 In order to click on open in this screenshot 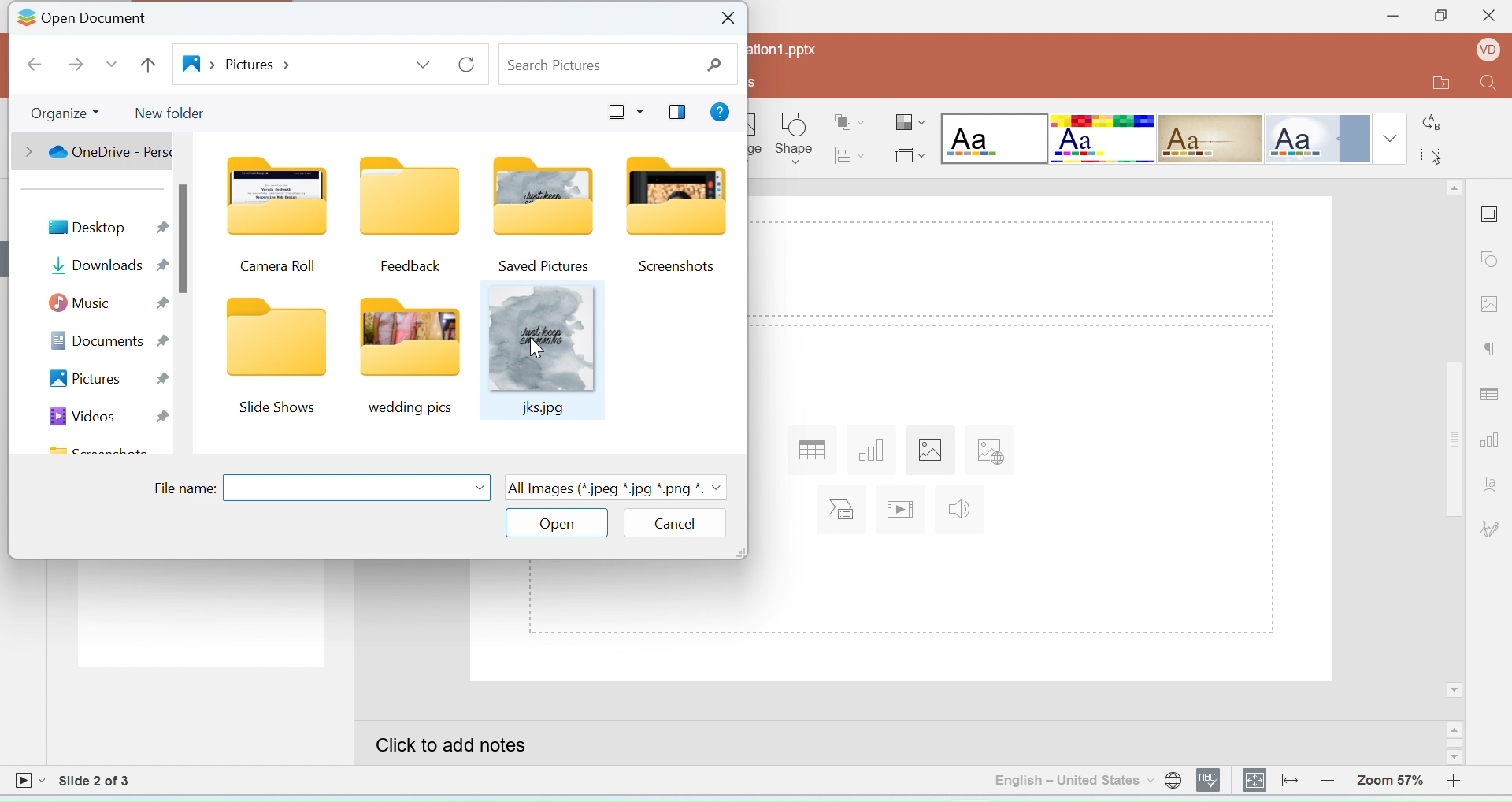, I will do `click(557, 524)`.